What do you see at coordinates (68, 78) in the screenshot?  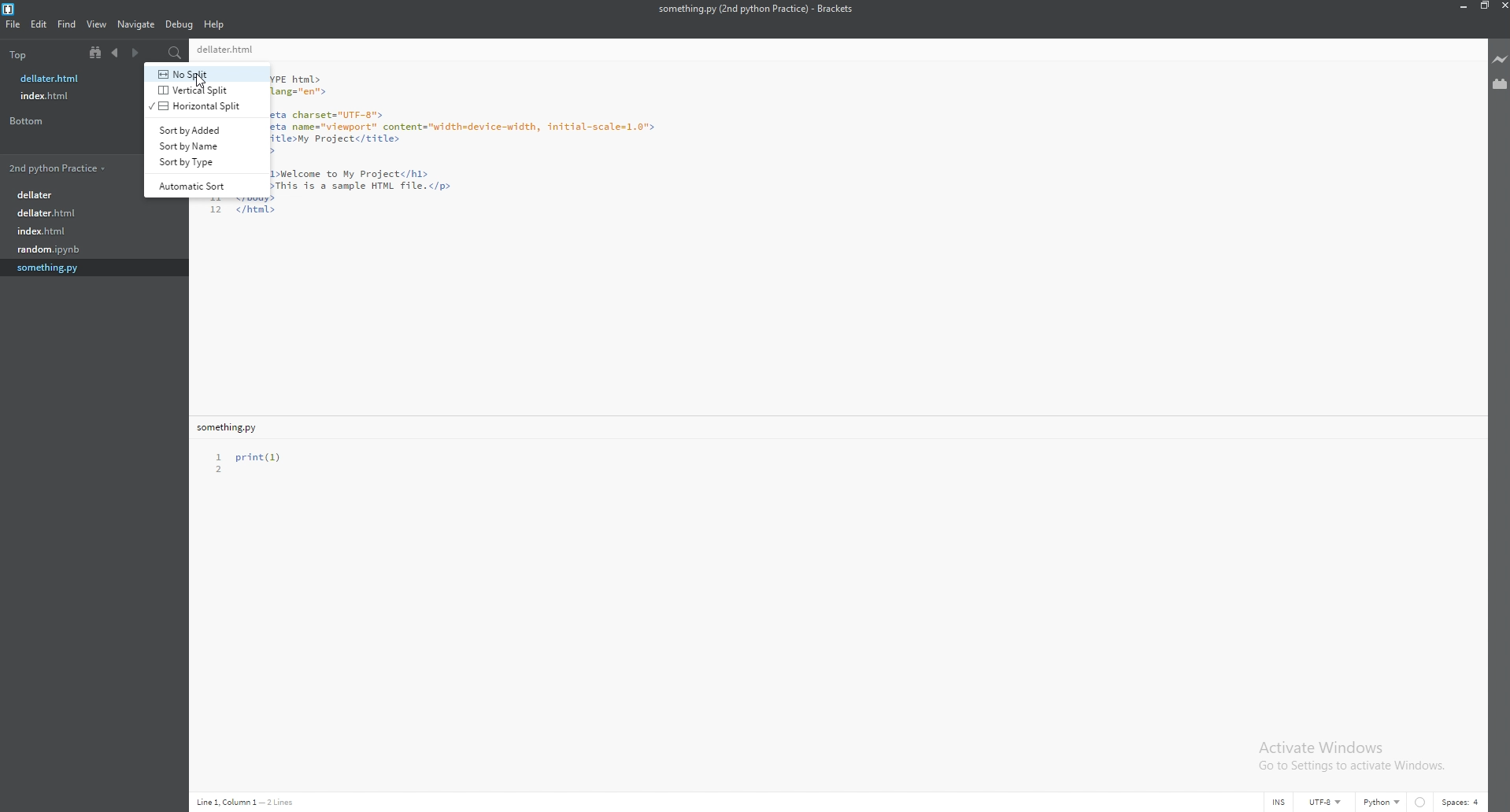 I see `file name` at bounding box center [68, 78].